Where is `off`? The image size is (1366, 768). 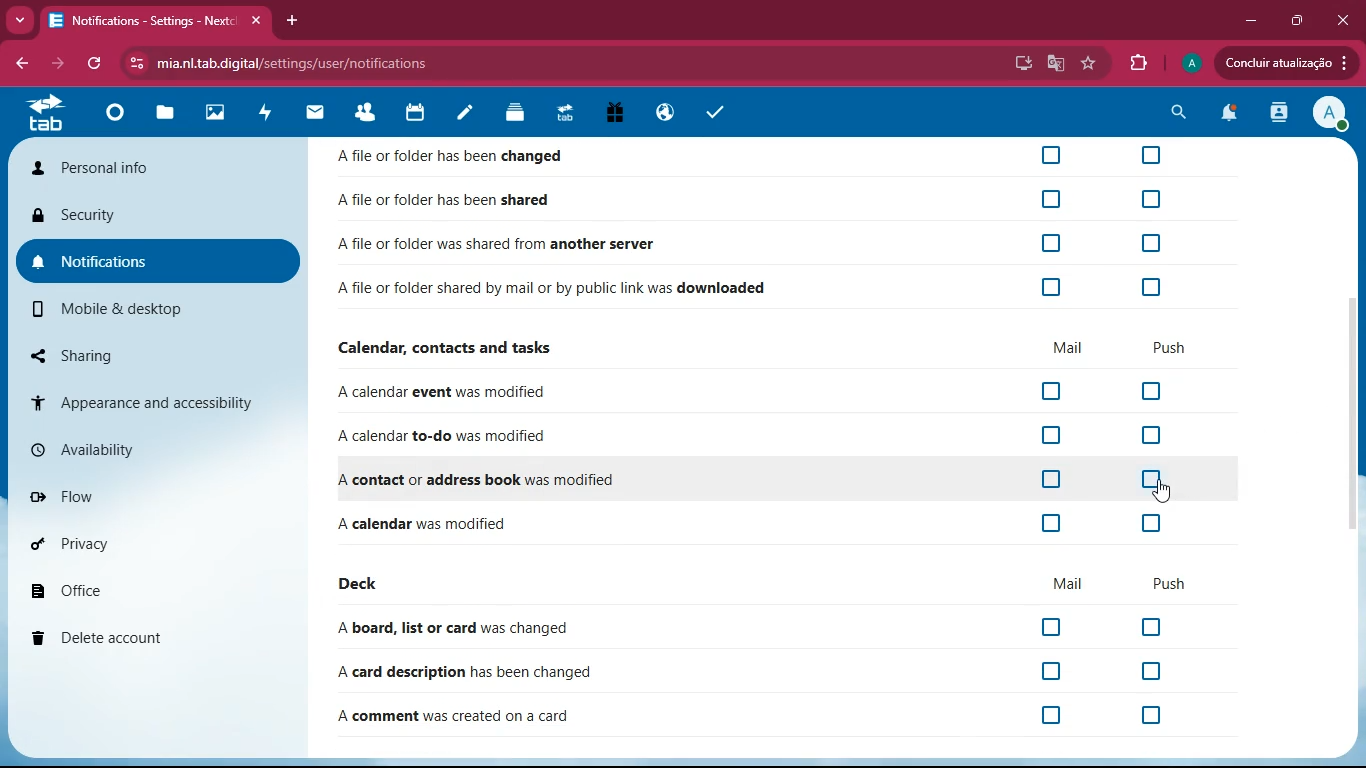 off is located at coordinates (1159, 393).